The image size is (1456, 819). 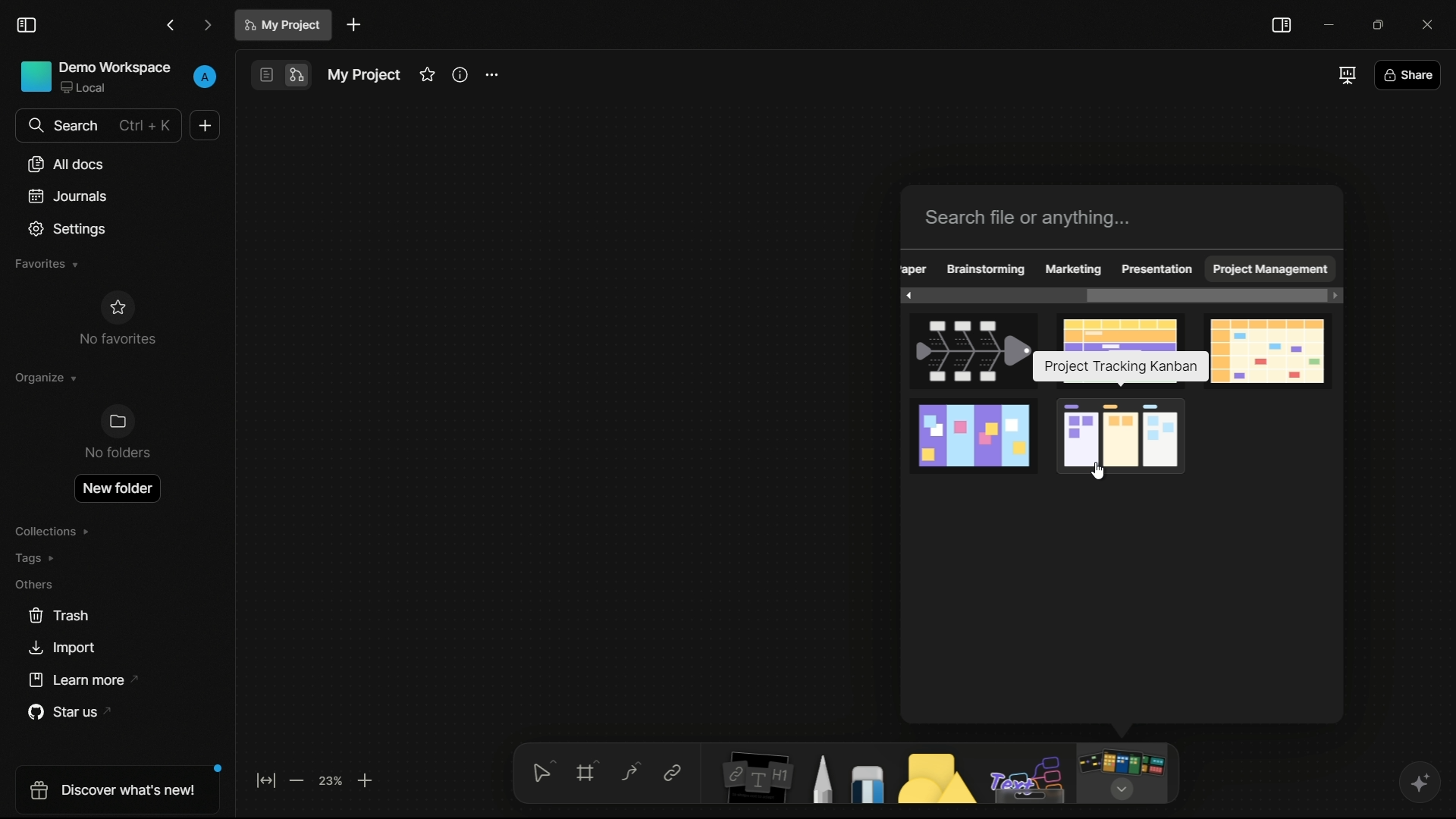 I want to click on more tools, so click(x=1121, y=774).